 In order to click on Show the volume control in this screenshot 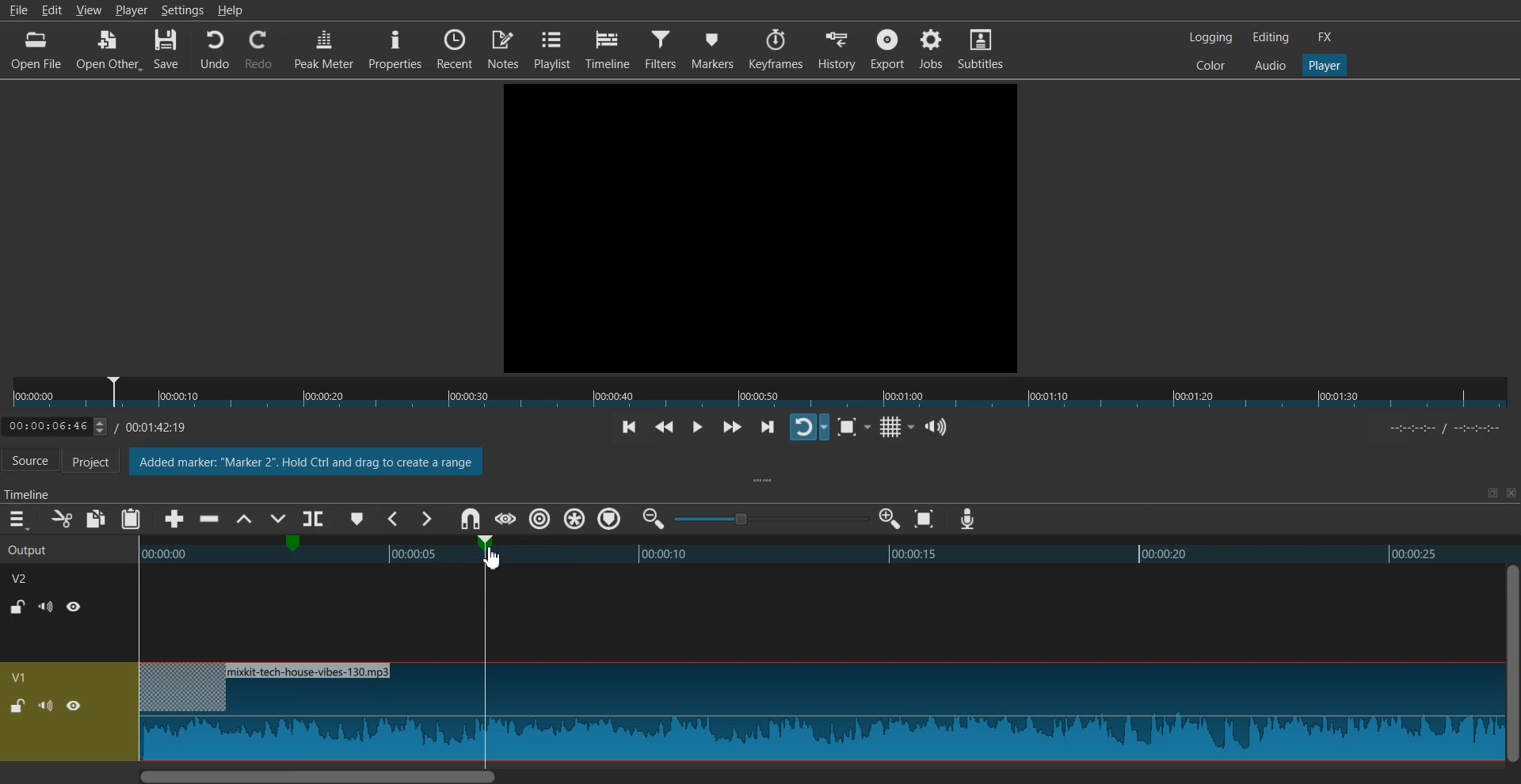, I will do `click(936, 428)`.